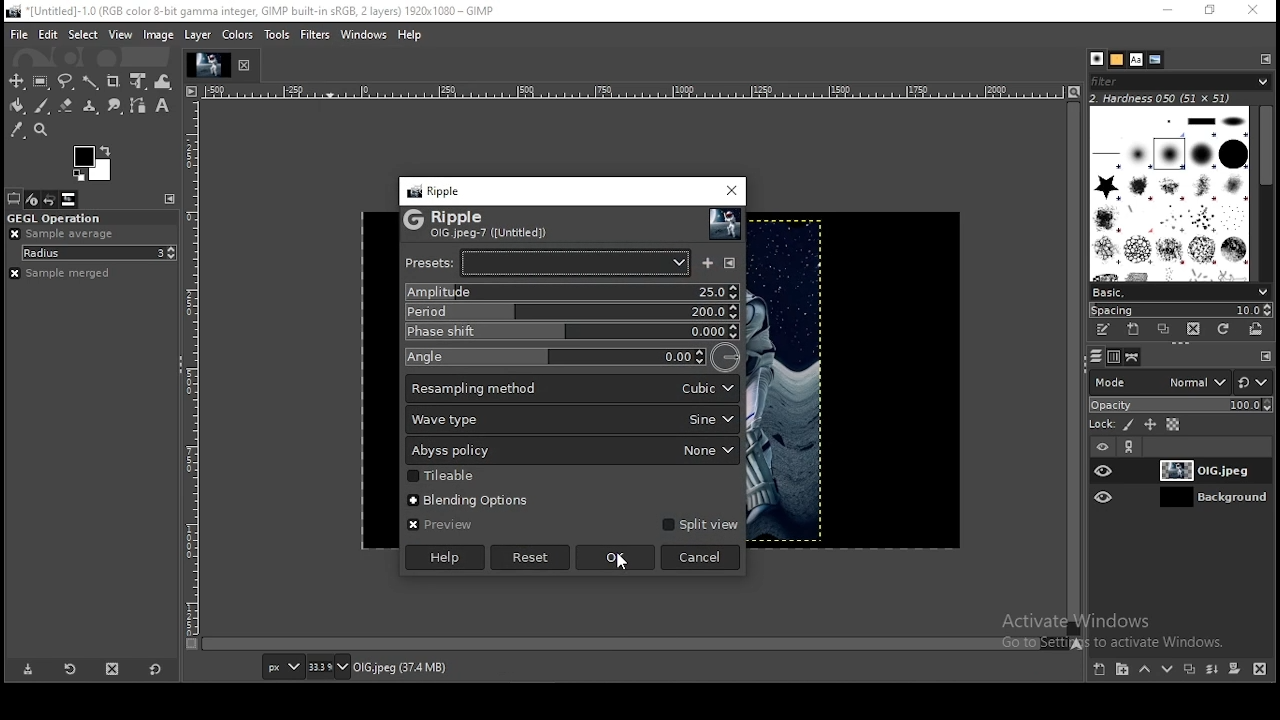 The width and height of the screenshot is (1280, 720). What do you see at coordinates (170, 199) in the screenshot?
I see `configure this tab` at bounding box center [170, 199].